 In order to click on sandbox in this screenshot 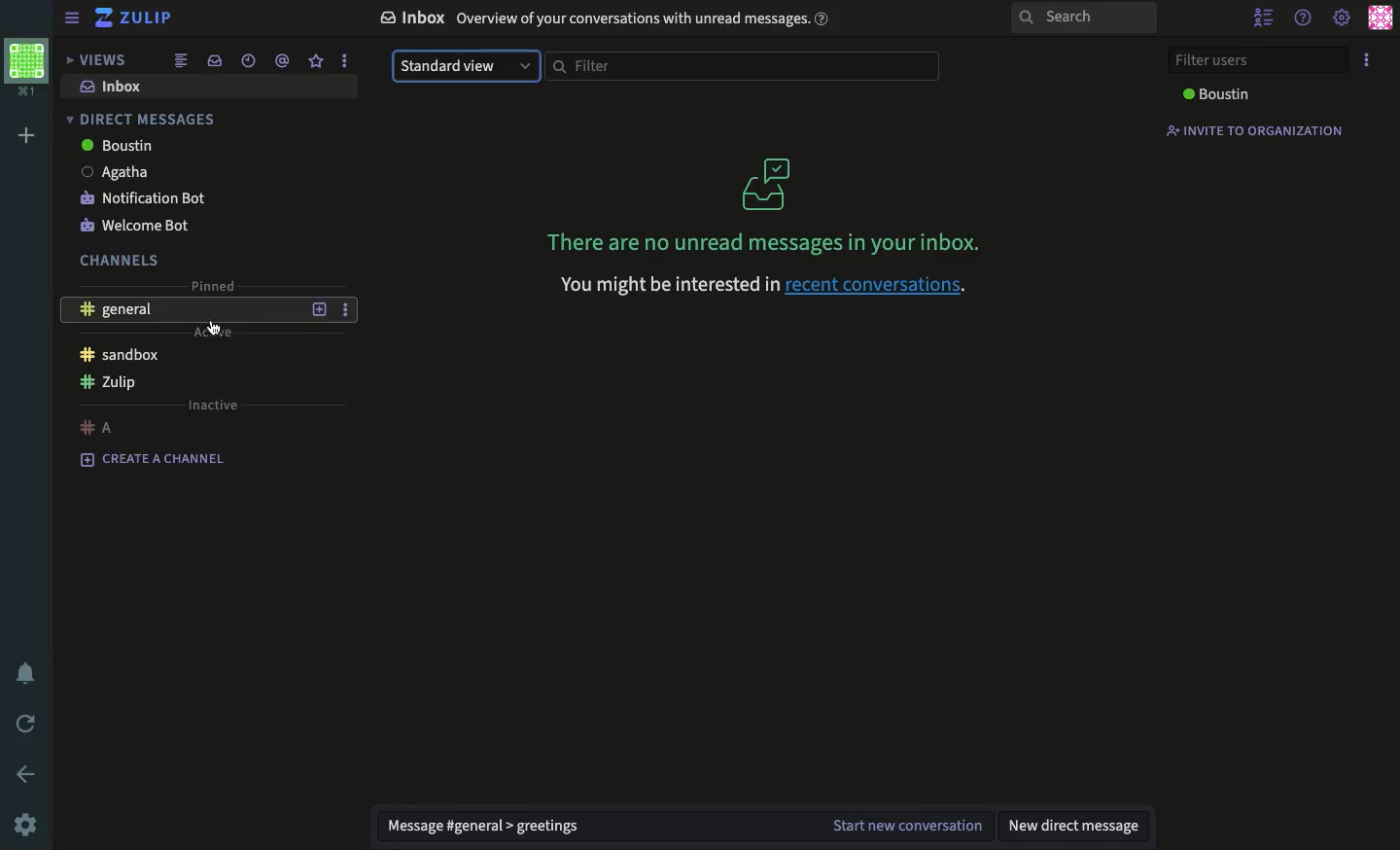, I will do `click(118, 356)`.